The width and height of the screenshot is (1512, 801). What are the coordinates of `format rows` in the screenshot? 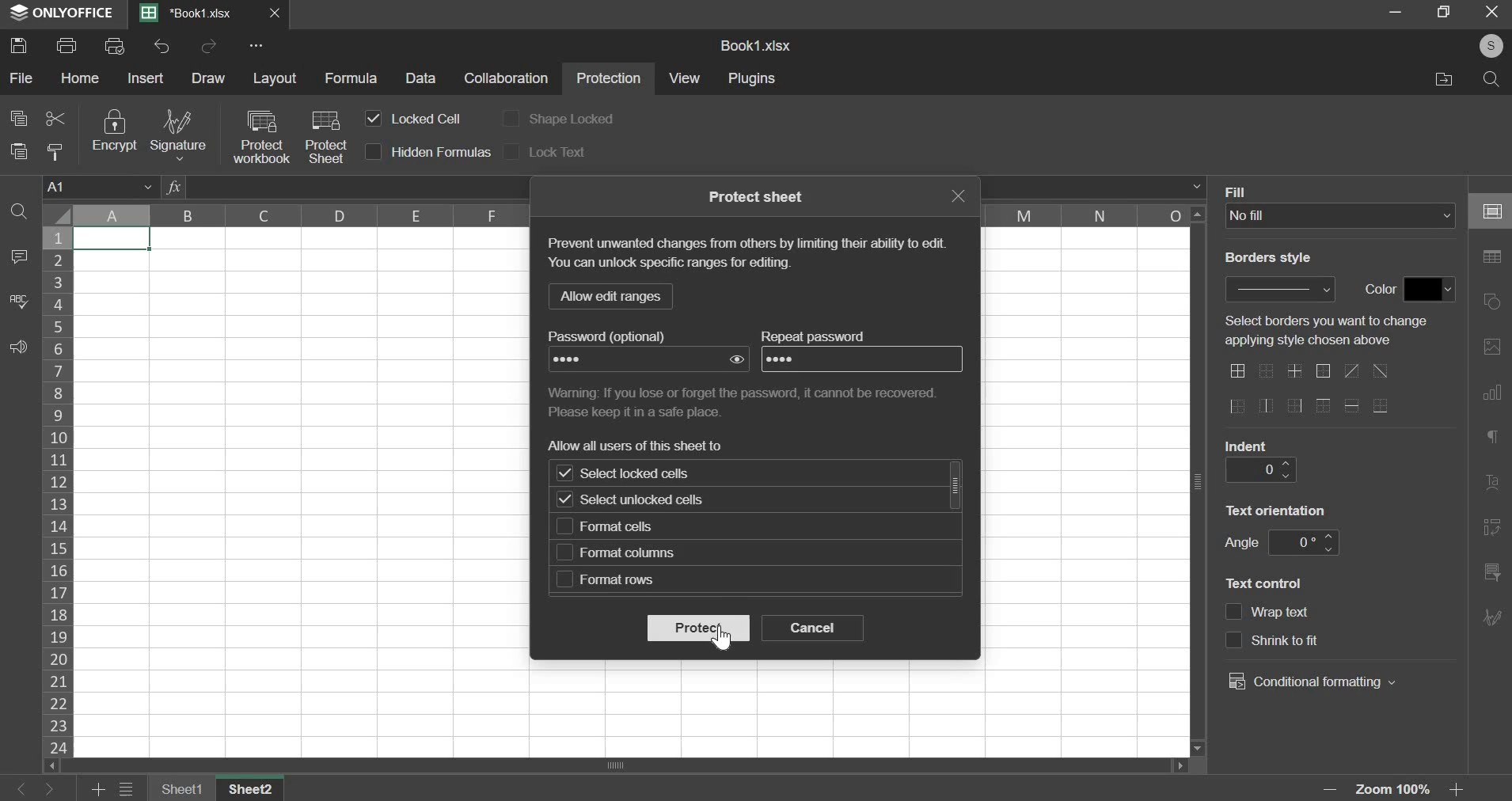 It's located at (617, 580).